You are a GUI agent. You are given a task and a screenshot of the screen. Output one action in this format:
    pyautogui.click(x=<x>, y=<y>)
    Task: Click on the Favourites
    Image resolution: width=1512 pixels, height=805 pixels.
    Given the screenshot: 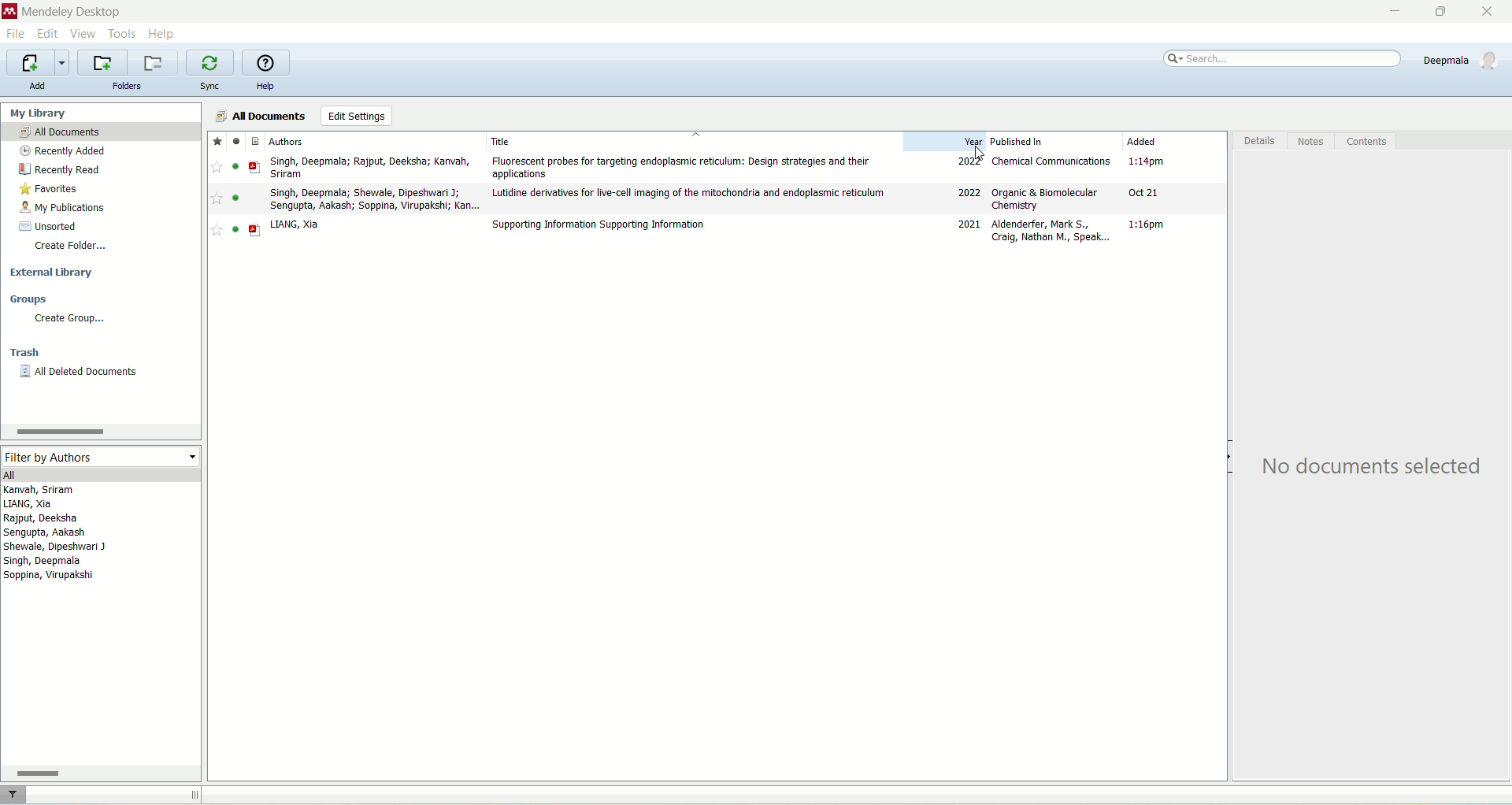 What is the action you would take?
    pyautogui.click(x=215, y=142)
    